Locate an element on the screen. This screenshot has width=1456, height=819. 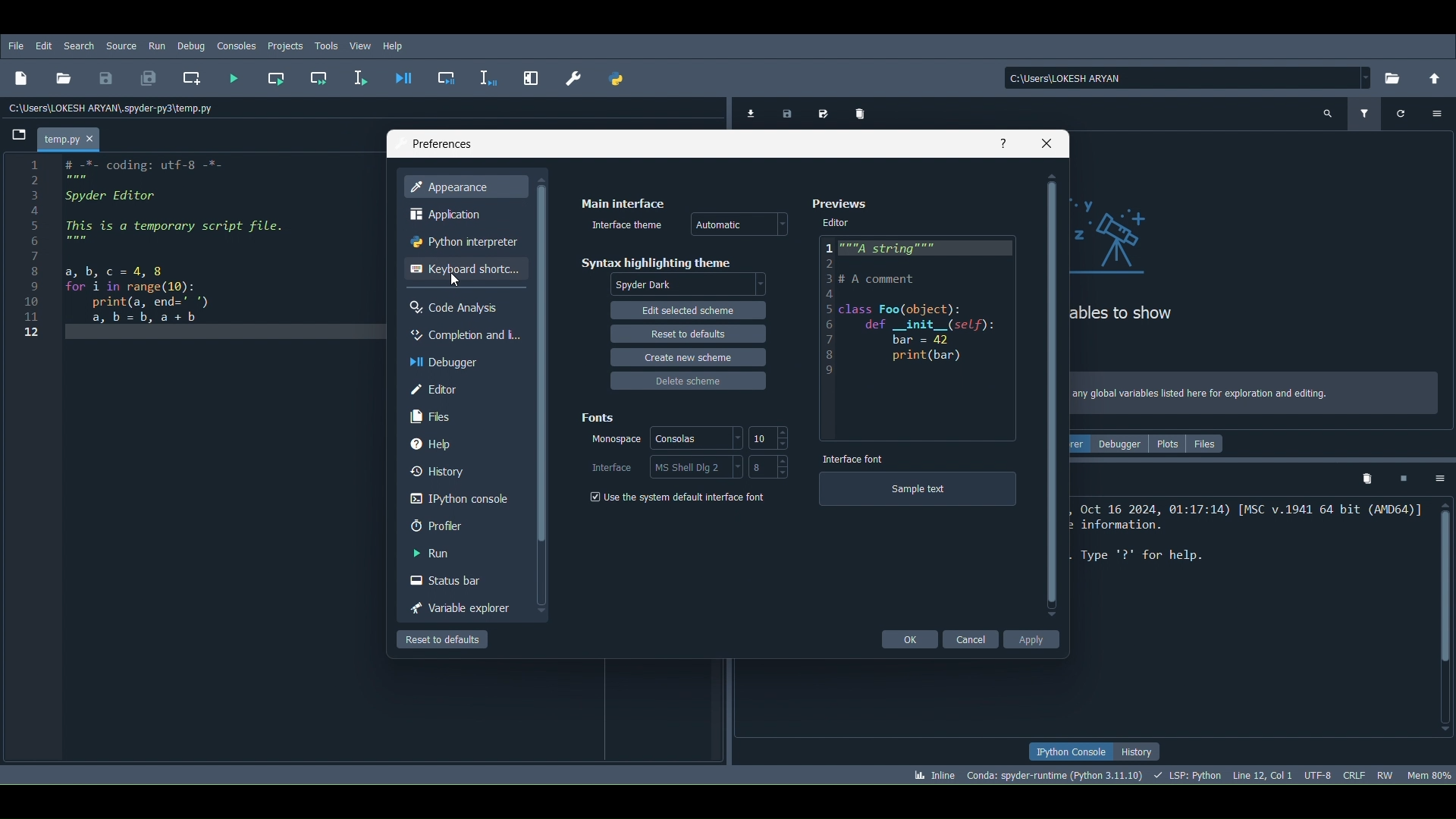
Save file (Ctrl + S) is located at coordinates (106, 78).